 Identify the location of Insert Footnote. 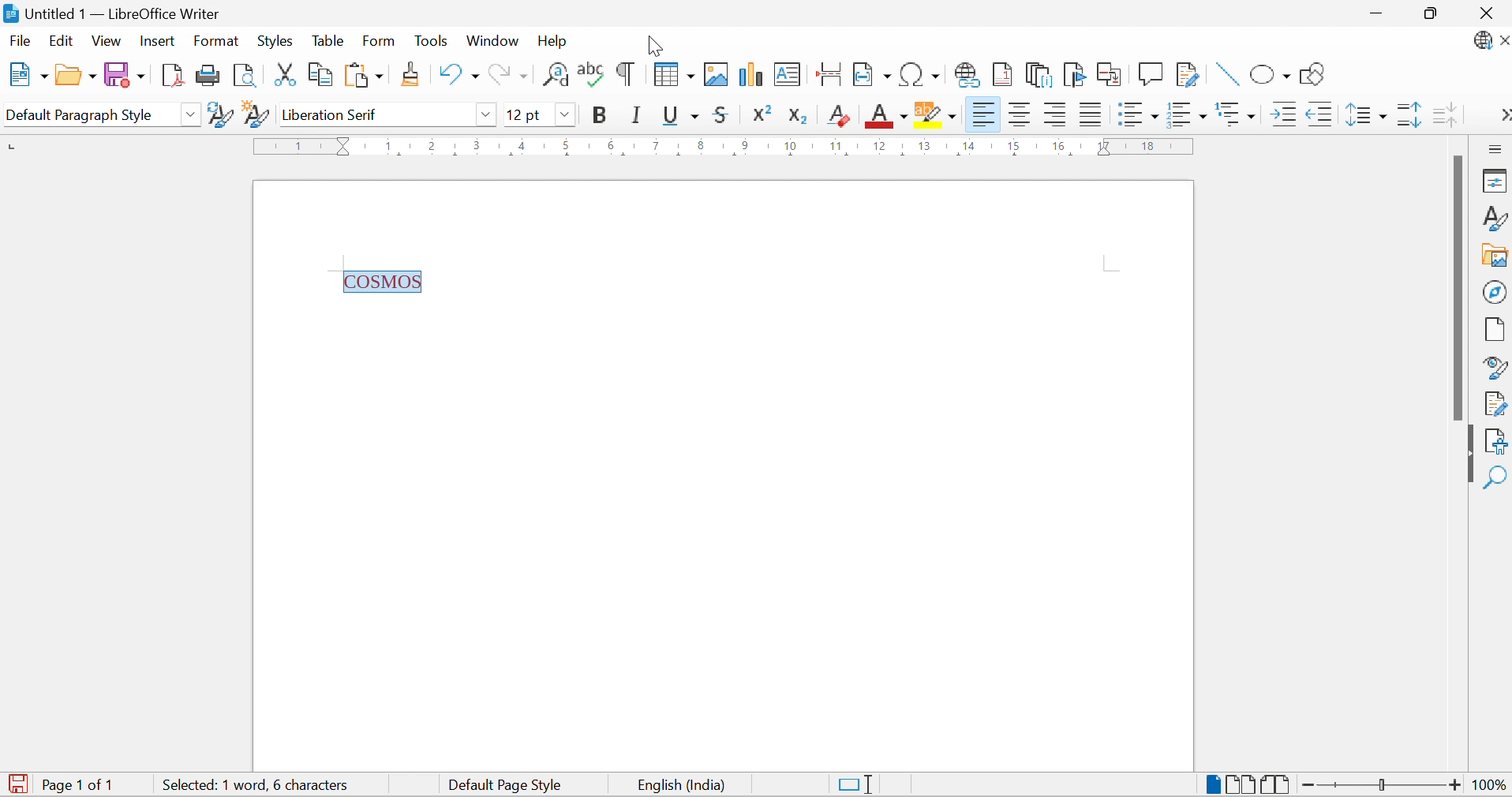
(1001, 75).